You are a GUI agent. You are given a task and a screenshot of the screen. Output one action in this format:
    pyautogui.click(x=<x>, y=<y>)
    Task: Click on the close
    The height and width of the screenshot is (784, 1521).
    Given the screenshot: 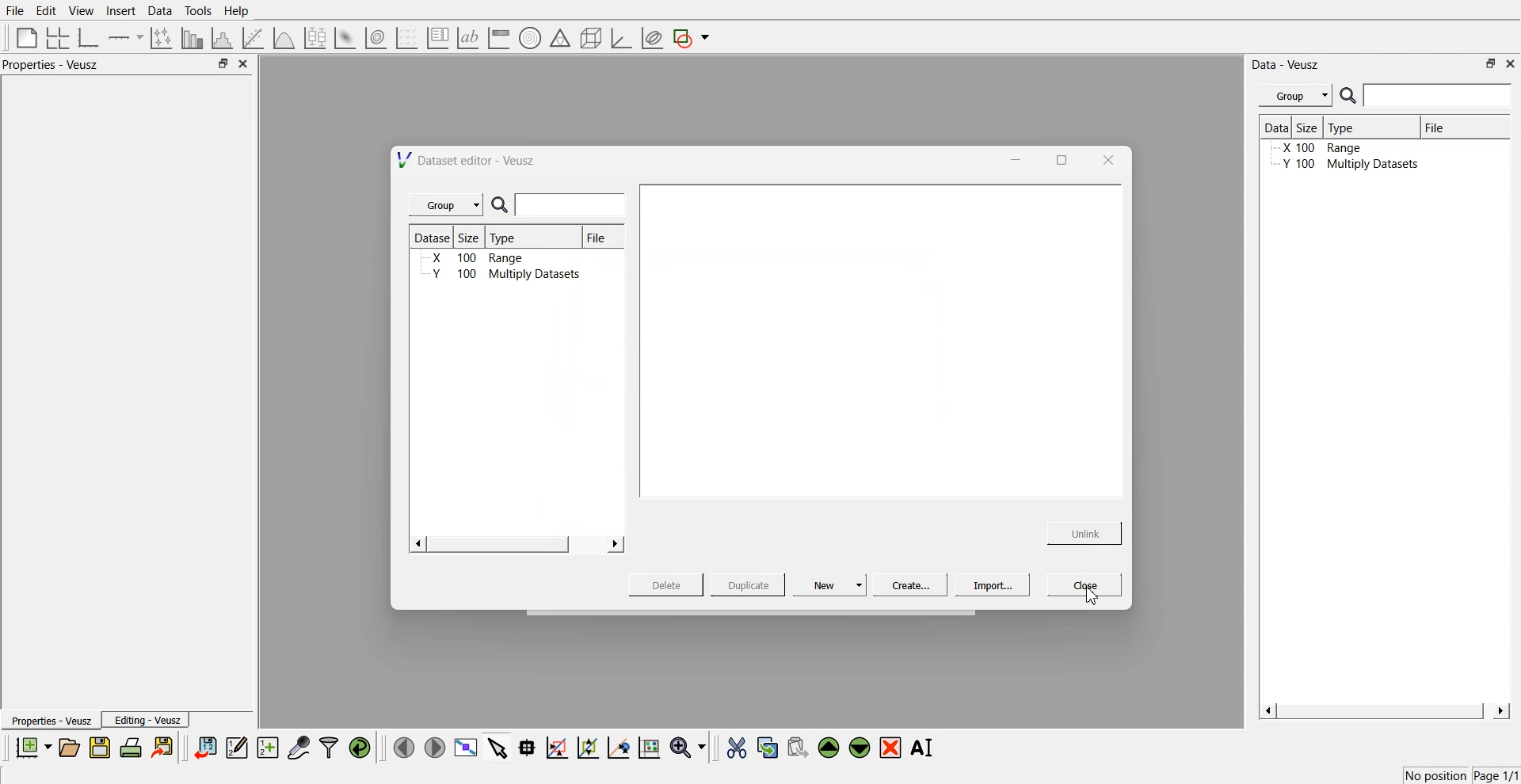 What is the action you would take?
    pyautogui.click(x=1511, y=63)
    